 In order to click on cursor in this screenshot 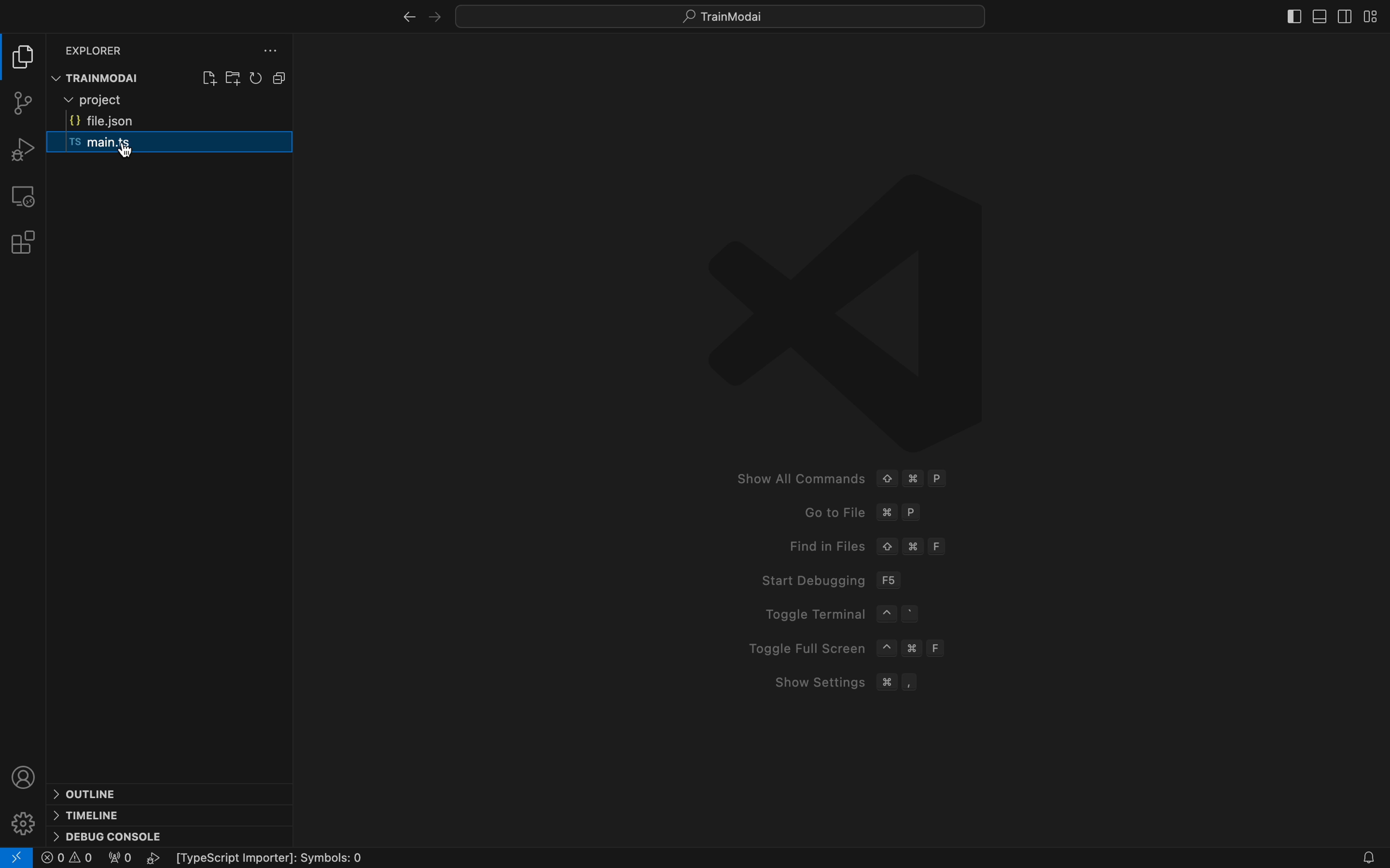, I will do `click(123, 153)`.